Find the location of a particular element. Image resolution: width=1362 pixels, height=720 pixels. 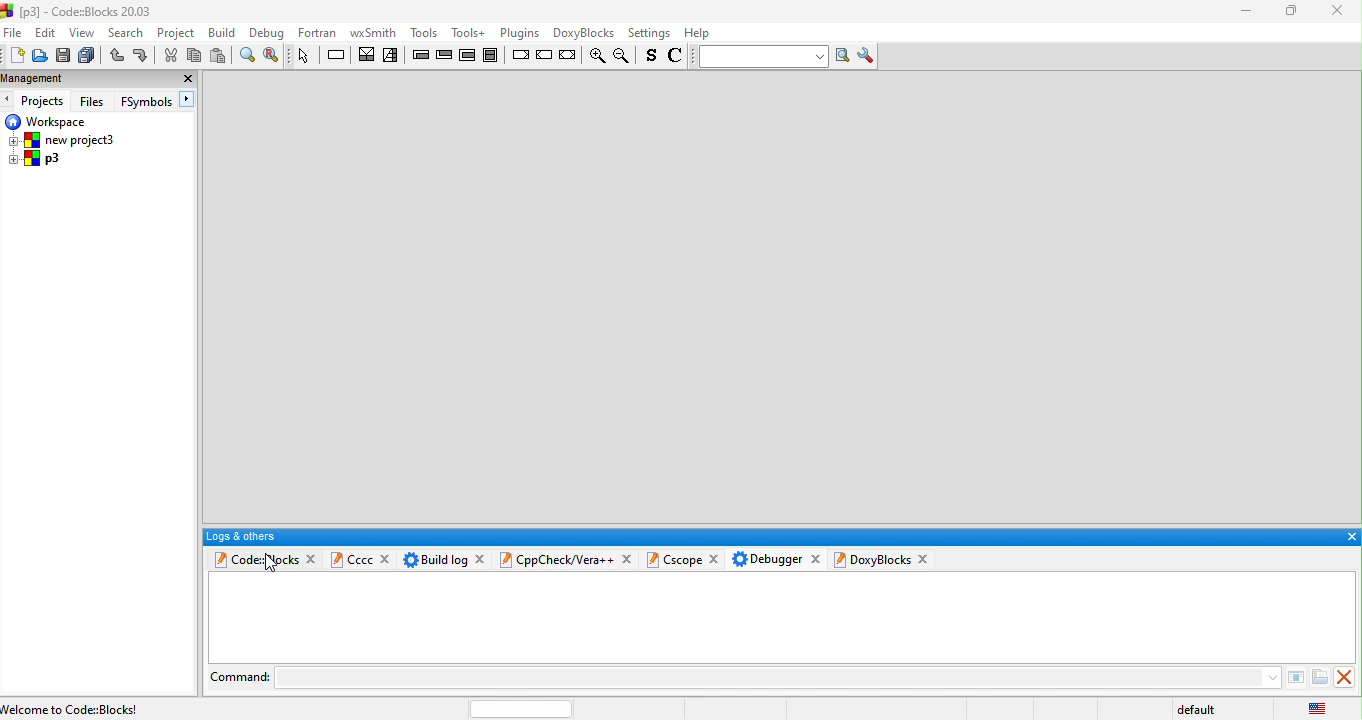

cut is located at coordinates (169, 56).